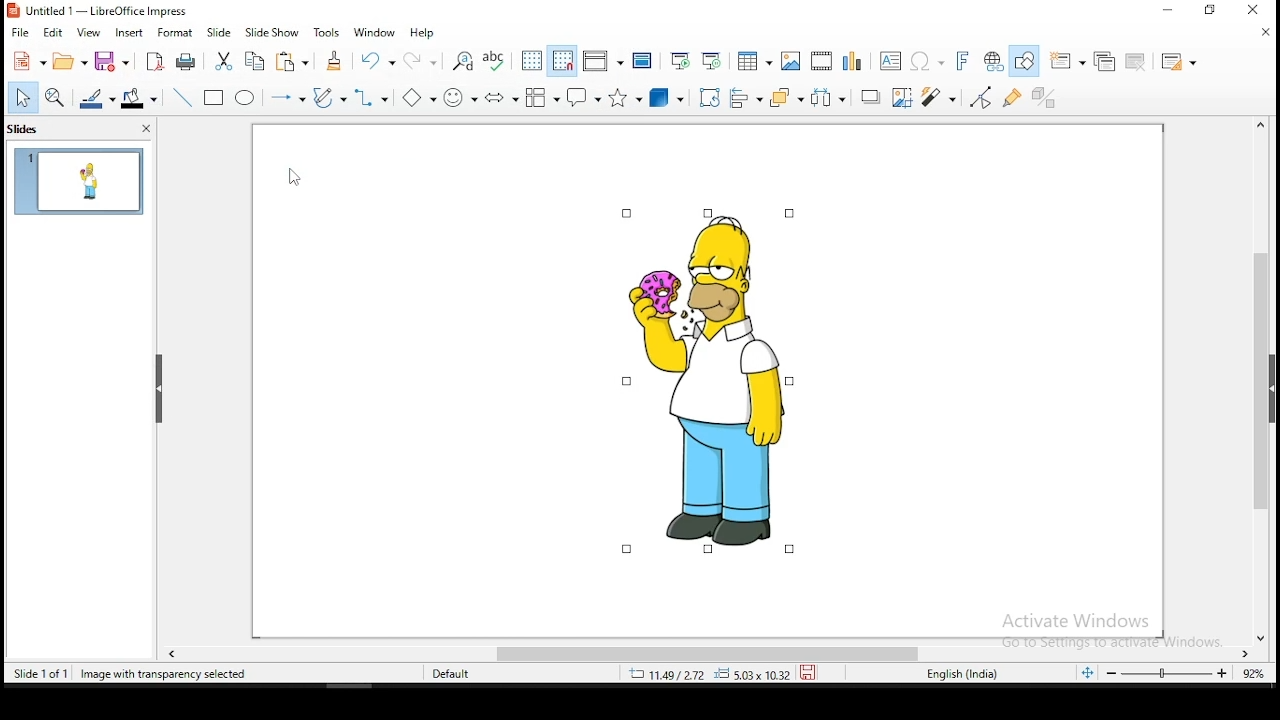  I want to click on english (india), so click(971, 675).